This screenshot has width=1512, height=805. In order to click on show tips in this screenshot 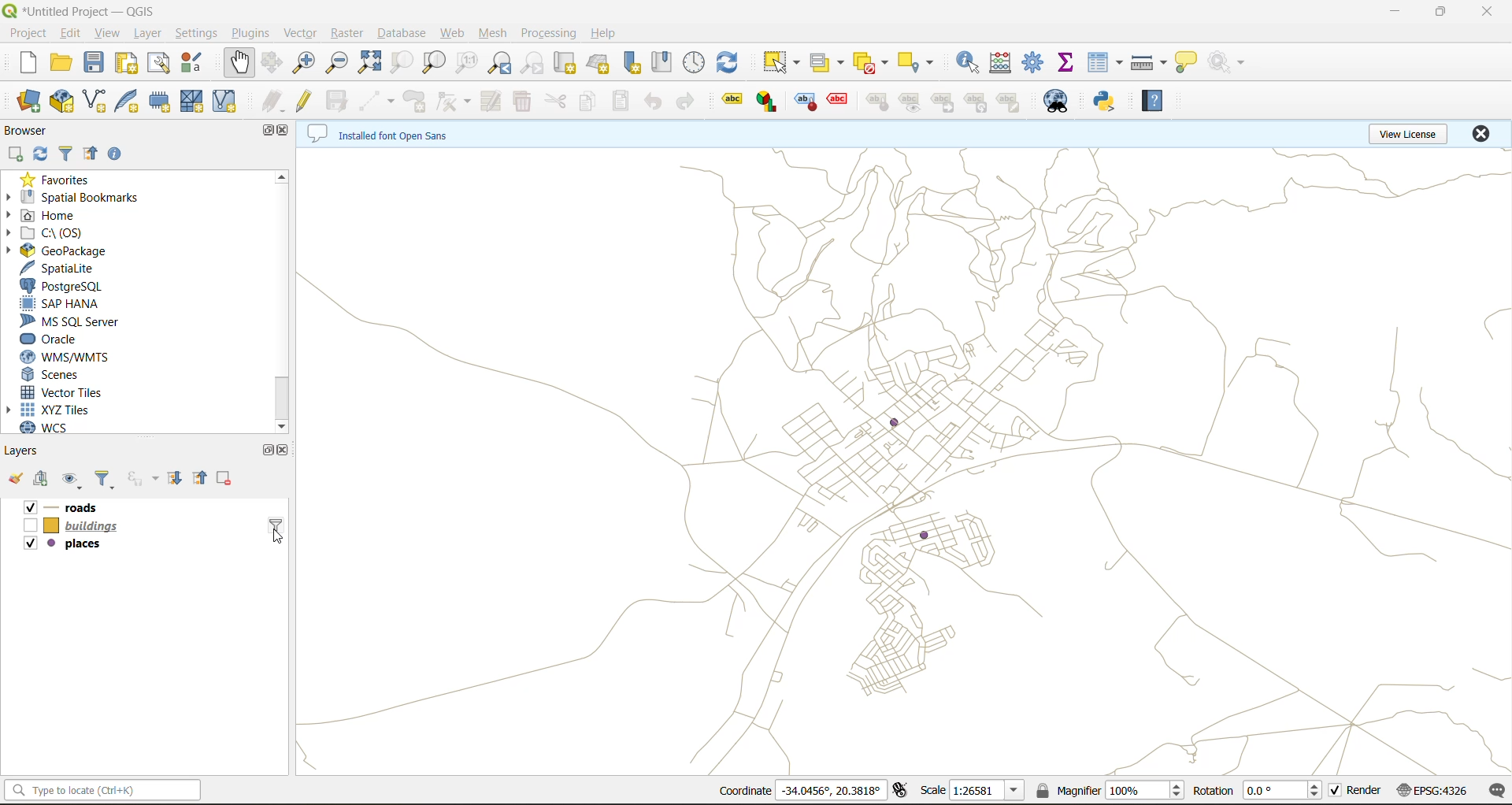, I will do `click(1193, 61)`.